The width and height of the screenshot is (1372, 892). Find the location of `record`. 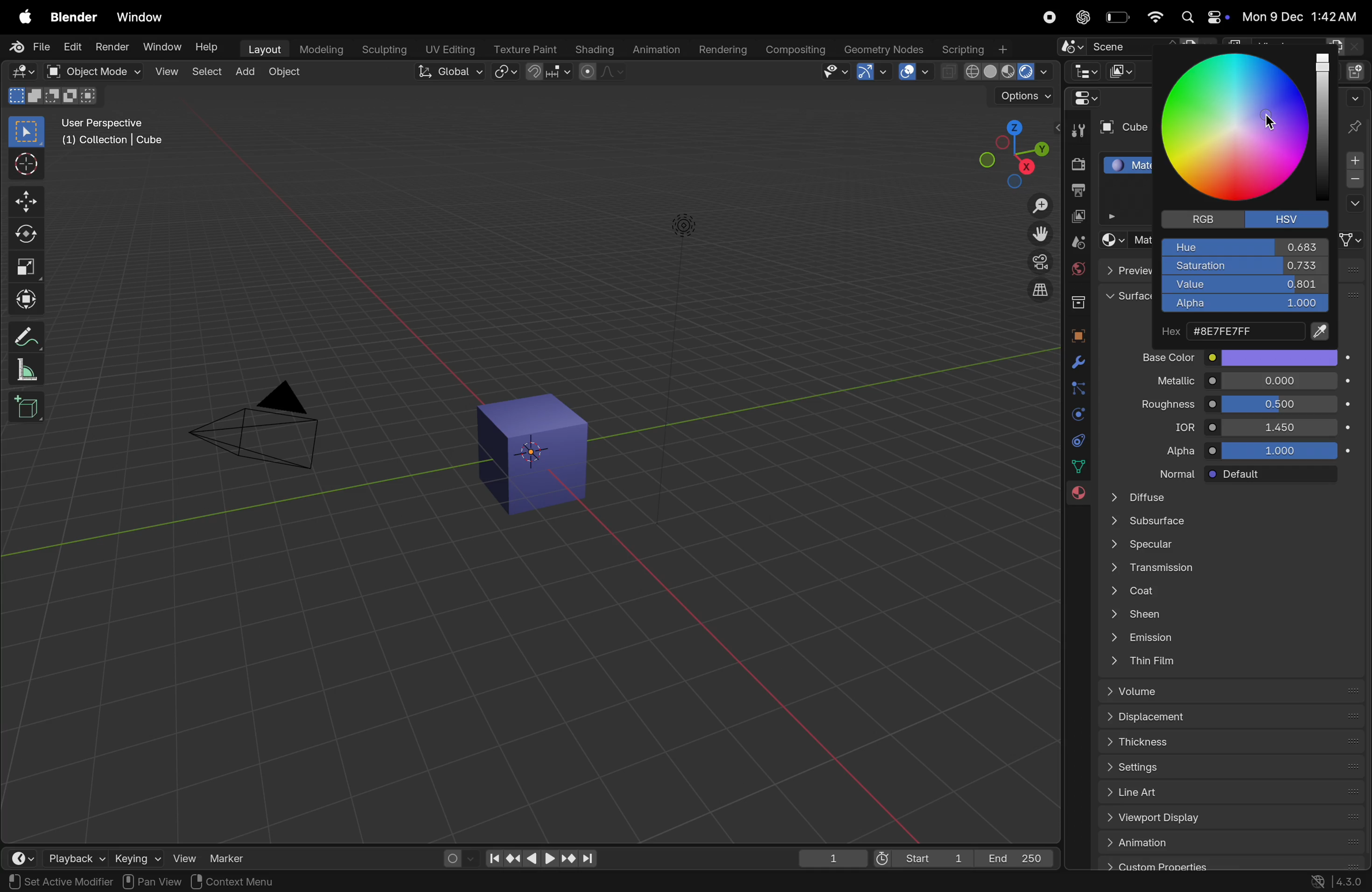

record is located at coordinates (1046, 17).